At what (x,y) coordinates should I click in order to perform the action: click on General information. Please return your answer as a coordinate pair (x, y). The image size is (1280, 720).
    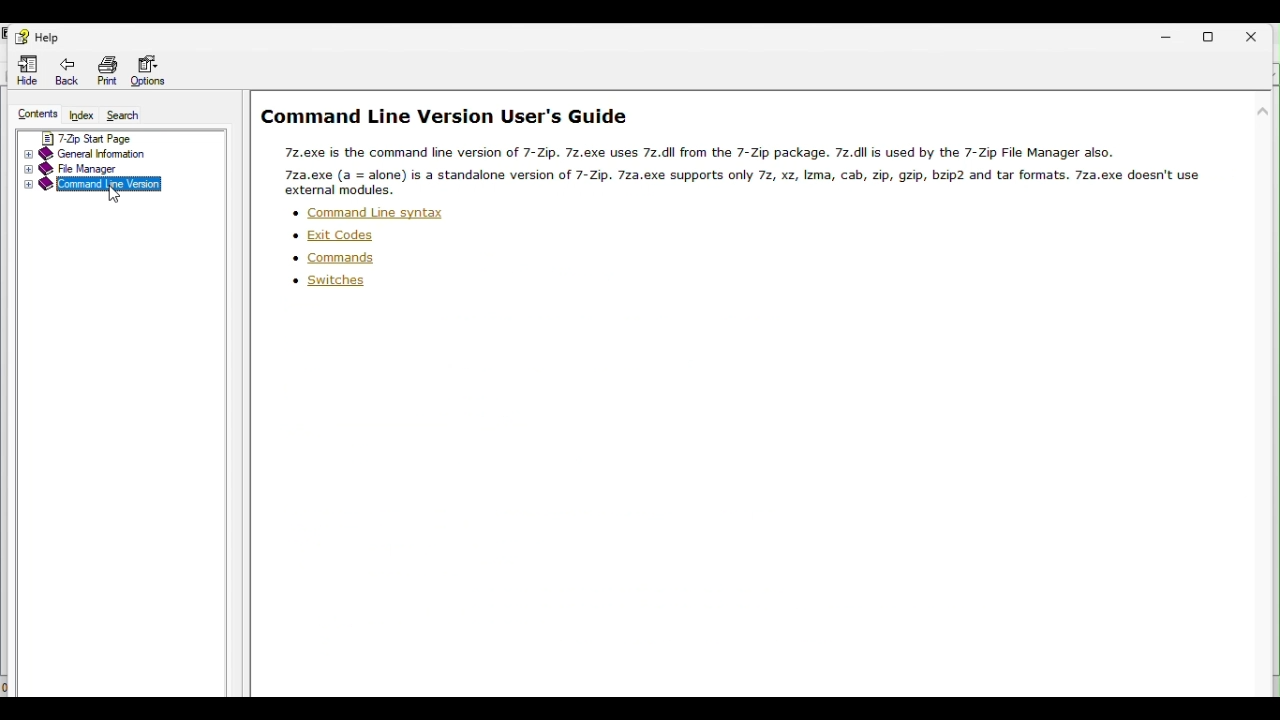
    Looking at the image, I should click on (121, 151).